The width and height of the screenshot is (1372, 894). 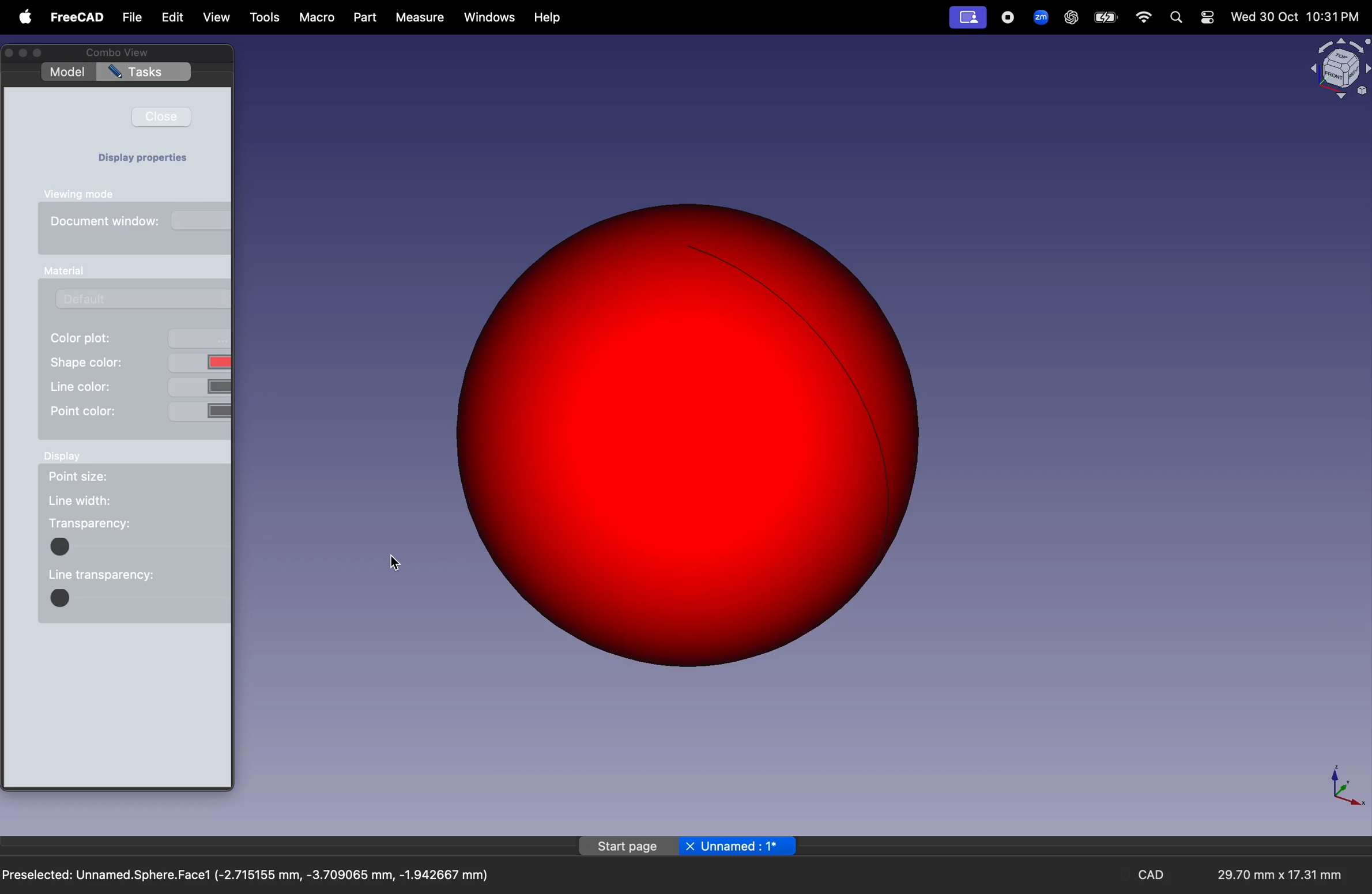 I want to click on object view, so click(x=1338, y=67).